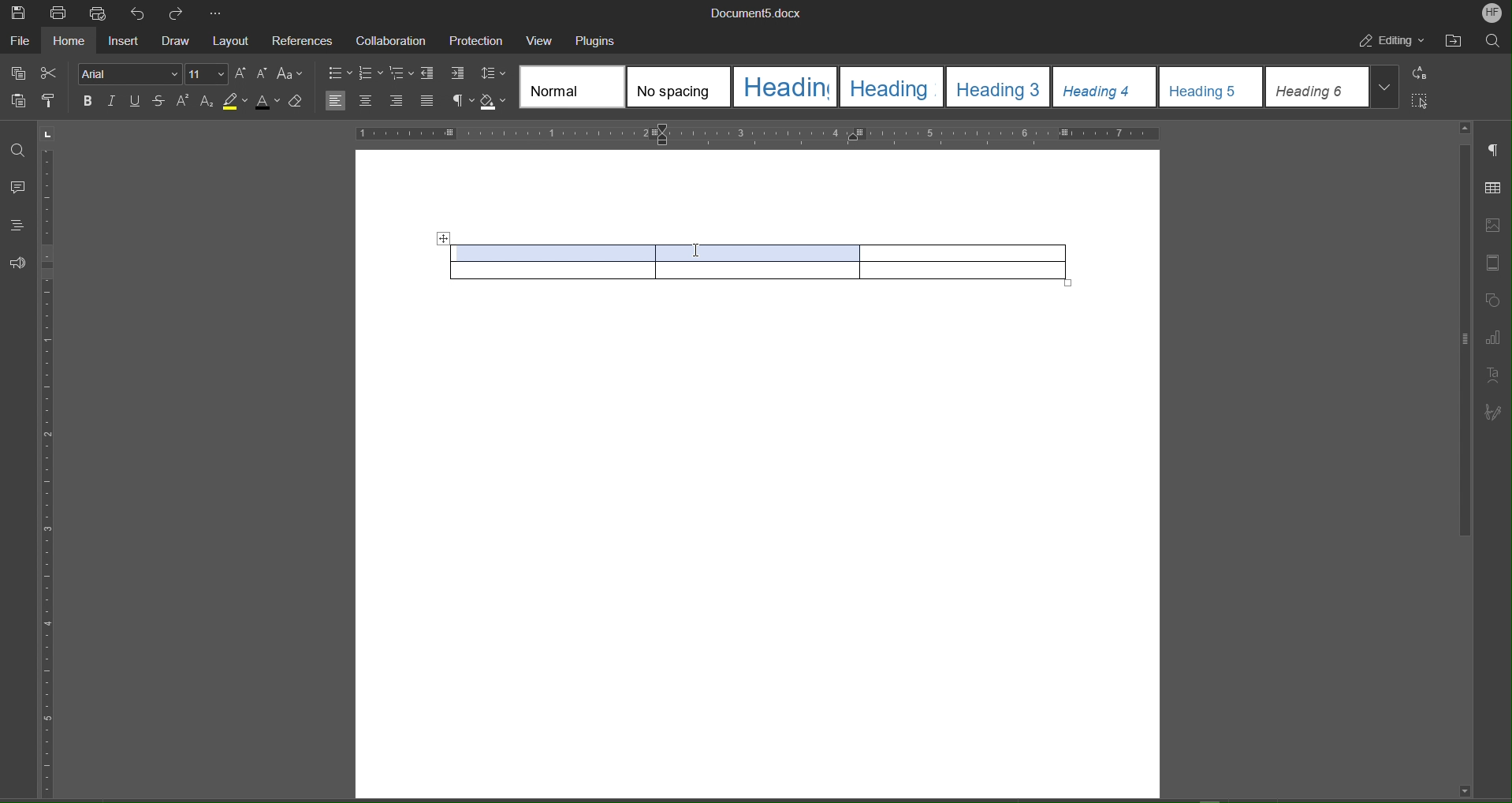 This screenshot has width=1512, height=803. Describe the element at coordinates (18, 223) in the screenshot. I see `Headings` at that location.